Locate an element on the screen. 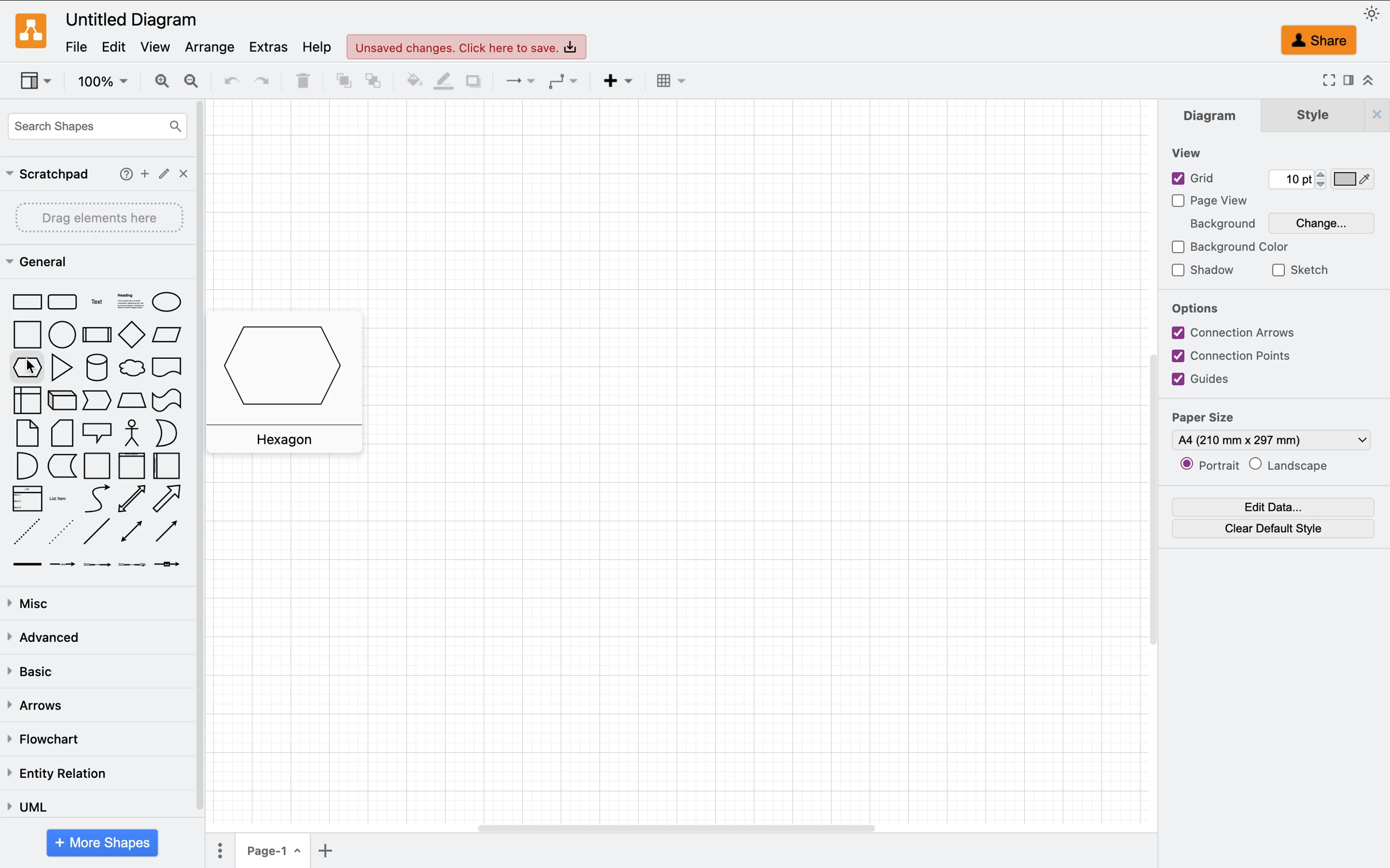 The width and height of the screenshot is (1390, 868). misc is located at coordinates (31, 604).